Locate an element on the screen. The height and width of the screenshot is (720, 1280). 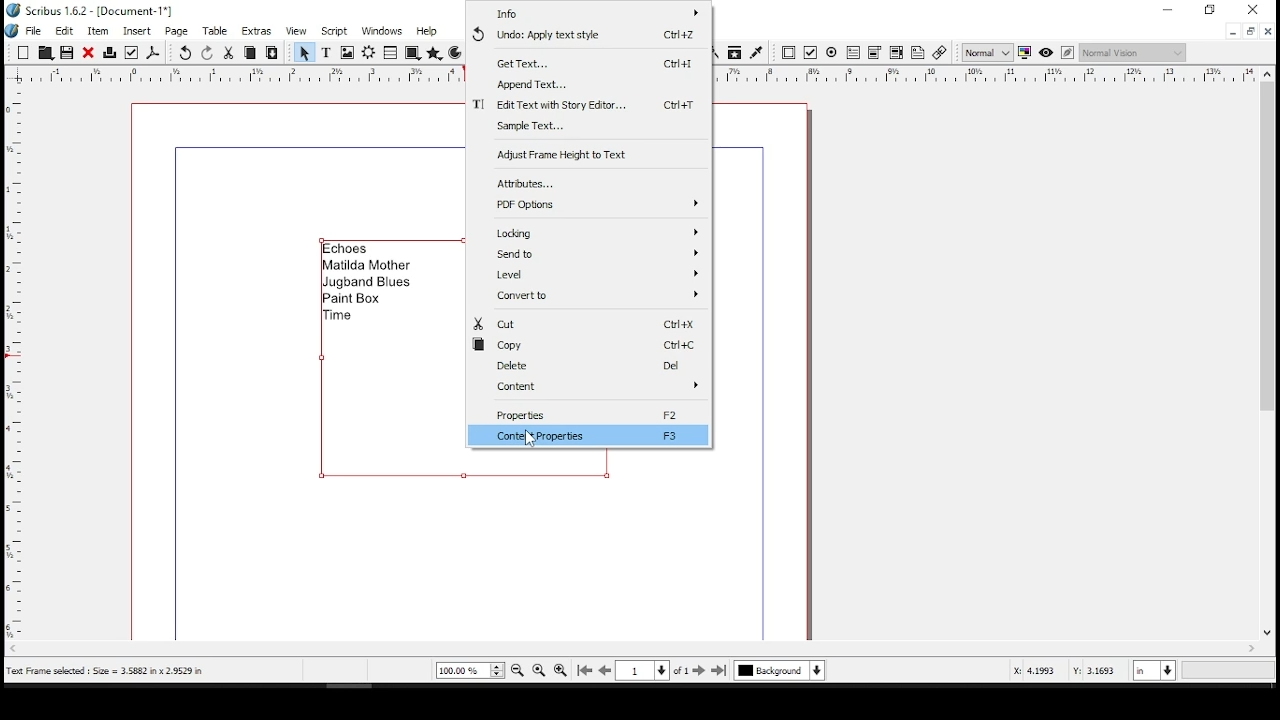
undo is located at coordinates (186, 53).